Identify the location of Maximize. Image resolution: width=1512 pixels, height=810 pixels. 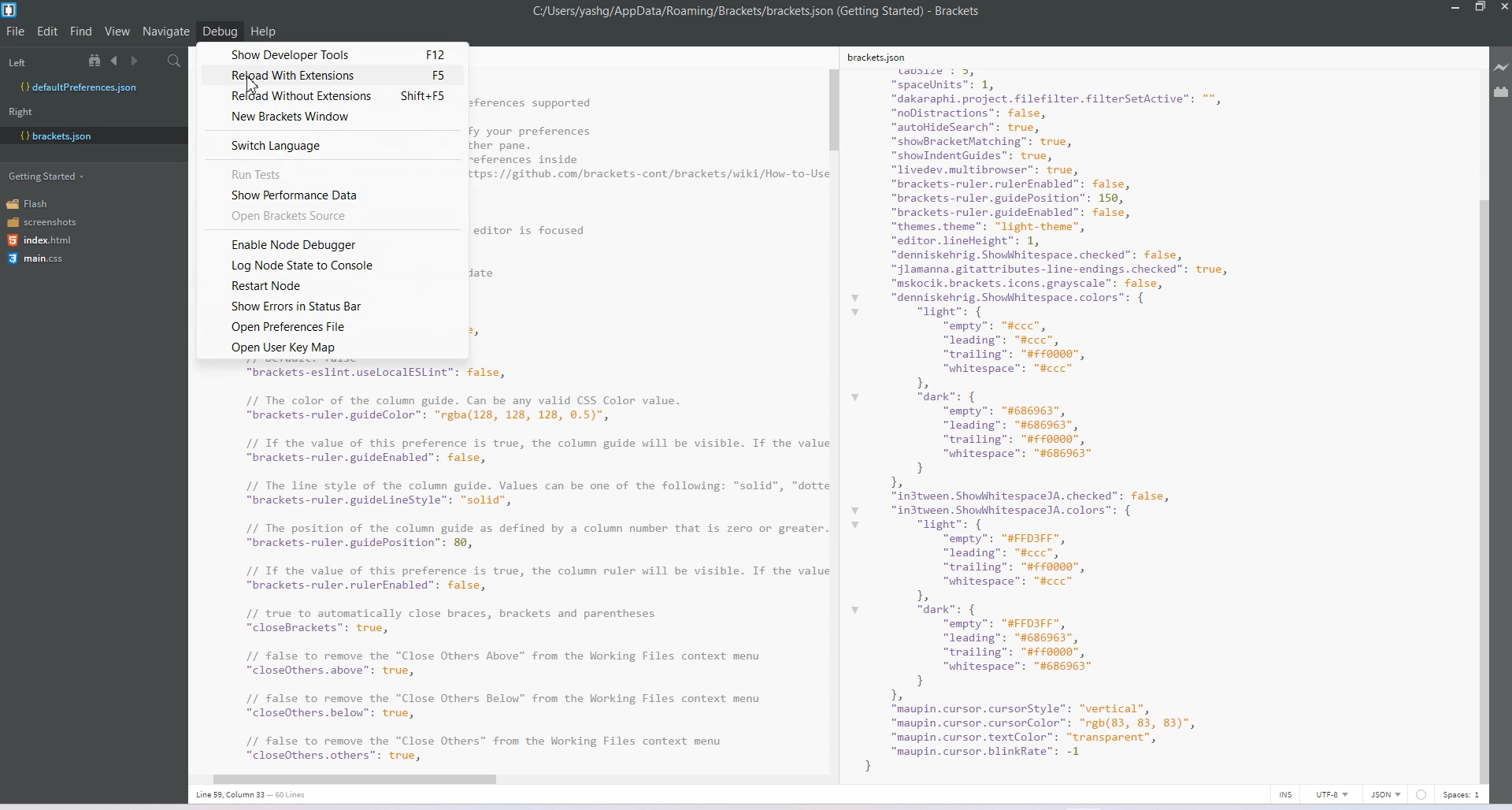
(1480, 8).